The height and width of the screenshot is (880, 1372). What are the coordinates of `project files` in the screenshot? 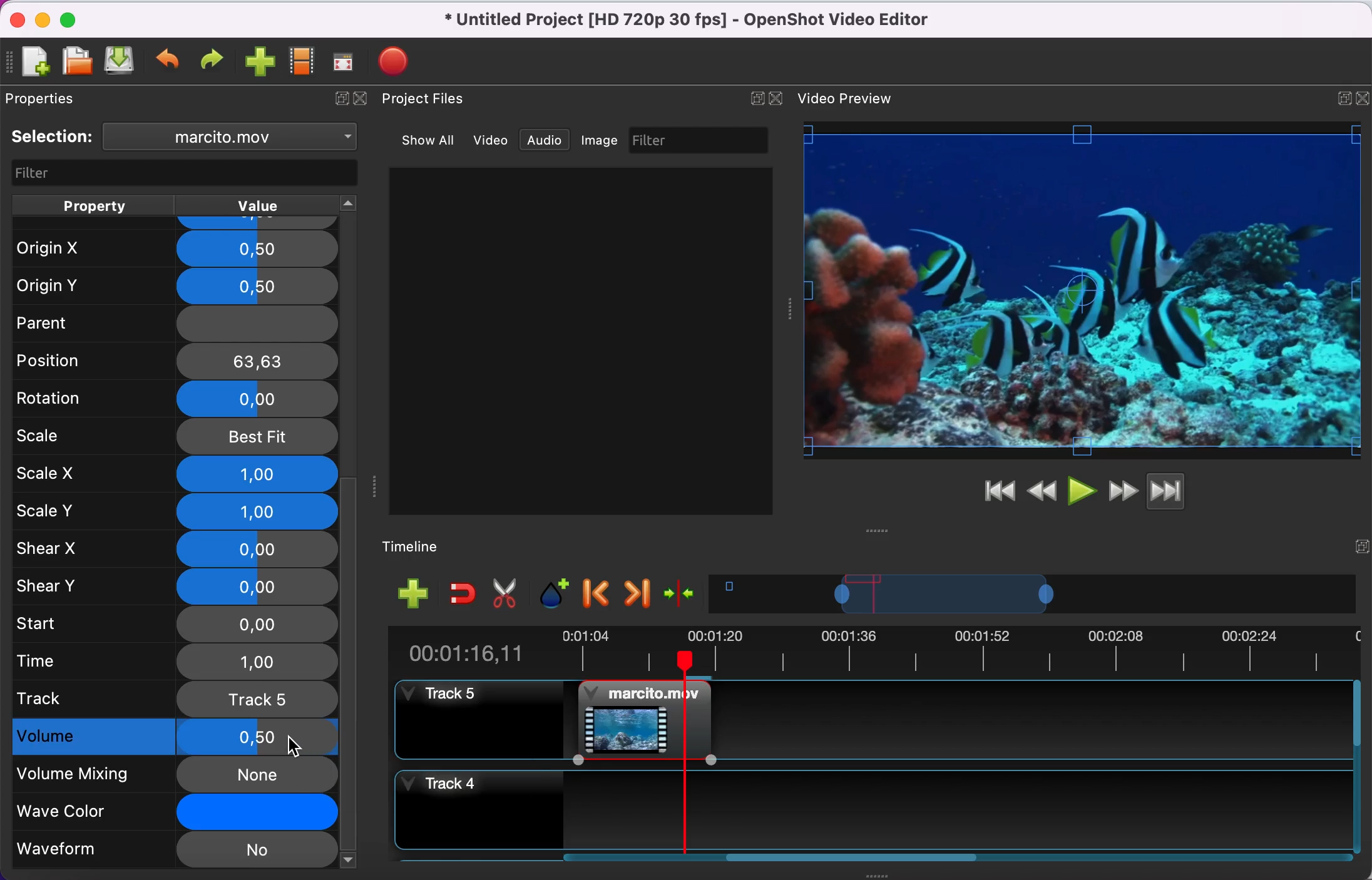 It's located at (435, 100).